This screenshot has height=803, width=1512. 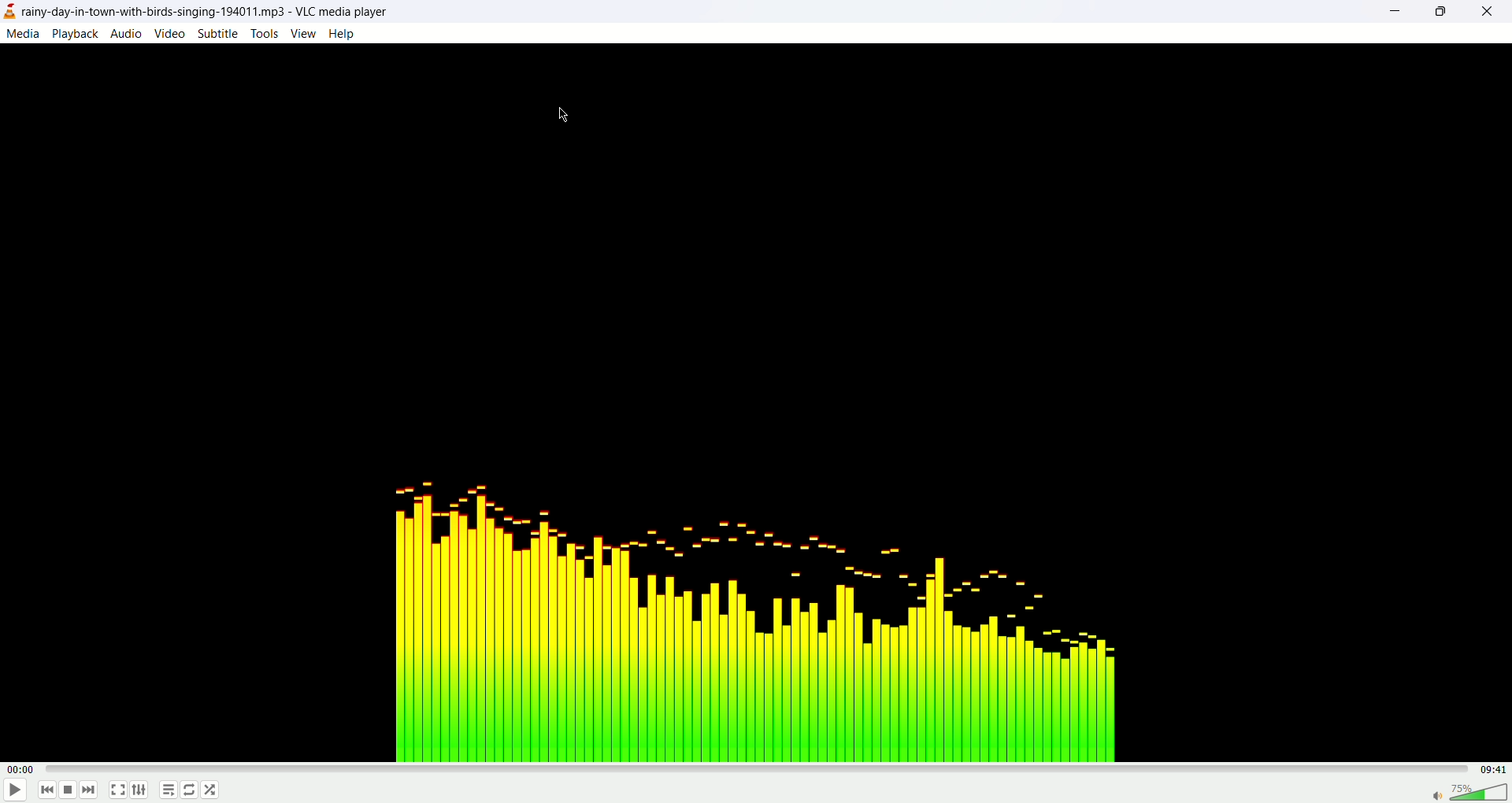 I want to click on fullscreen, so click(x=117, y=791).